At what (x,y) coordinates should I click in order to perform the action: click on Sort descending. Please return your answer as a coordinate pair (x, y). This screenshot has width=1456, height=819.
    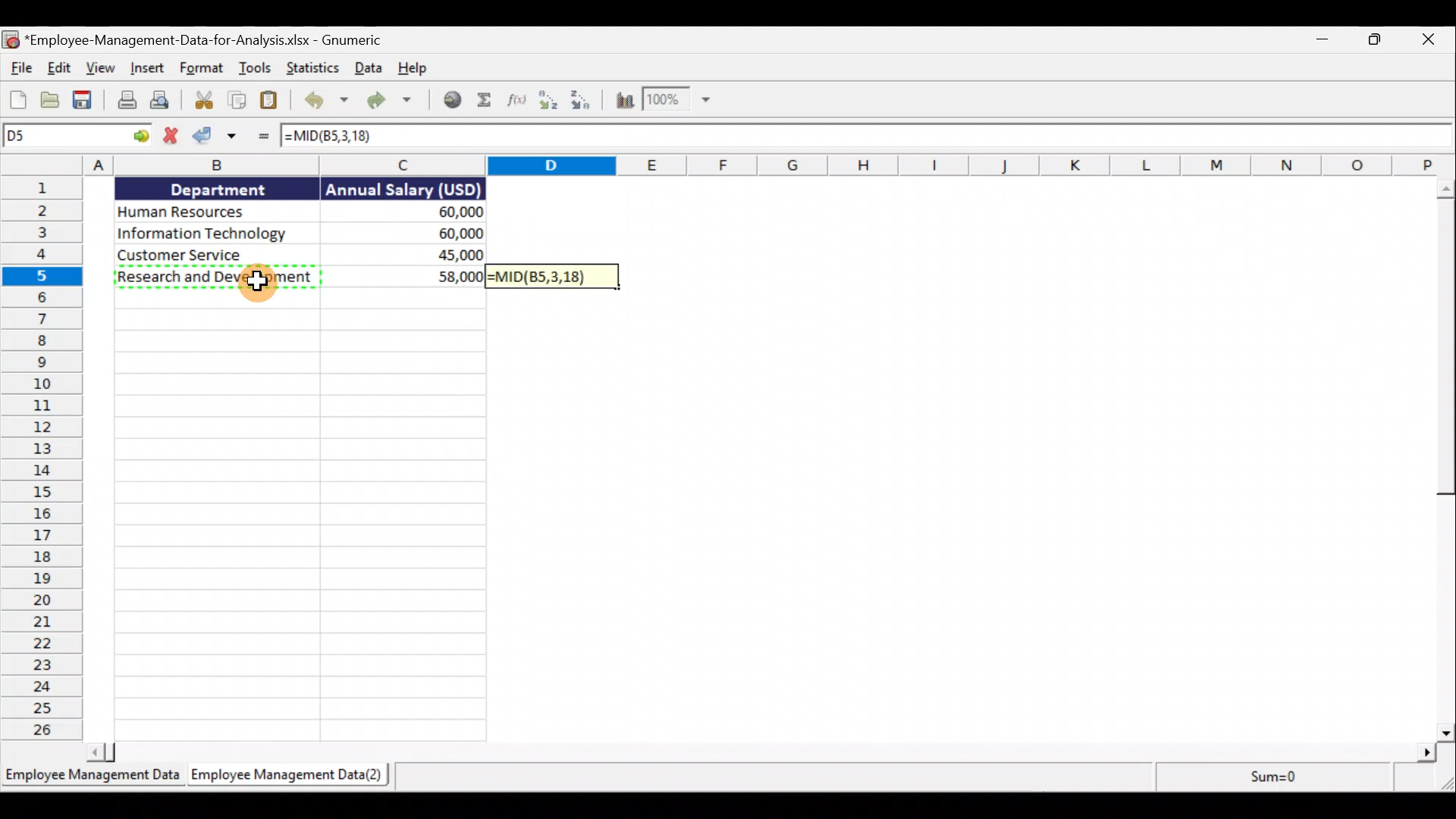
    Looking at the image, I should click on (588, 103).